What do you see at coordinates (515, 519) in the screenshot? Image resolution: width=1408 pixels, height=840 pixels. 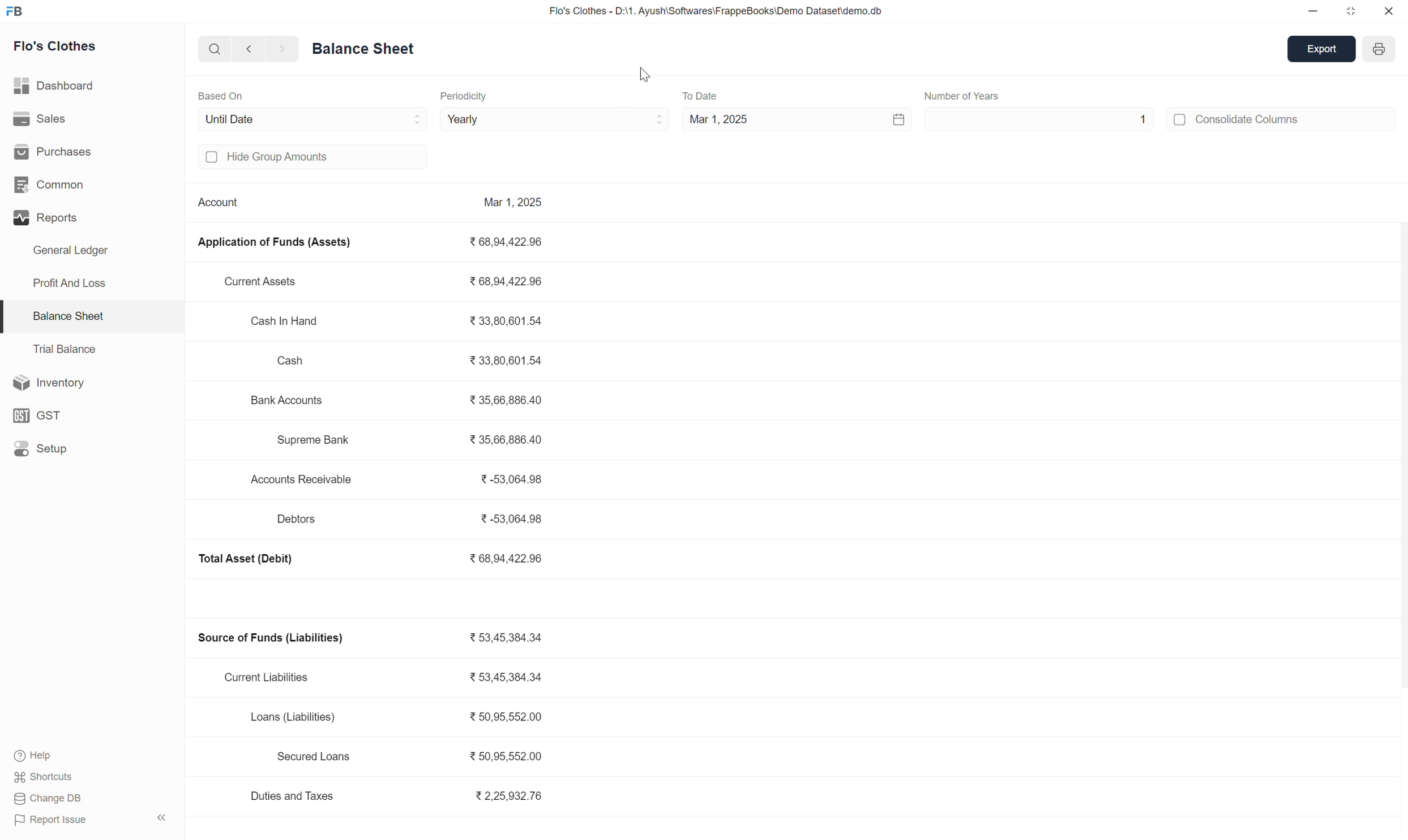 I see `-53,064.98` at bounding box center [515, 519].